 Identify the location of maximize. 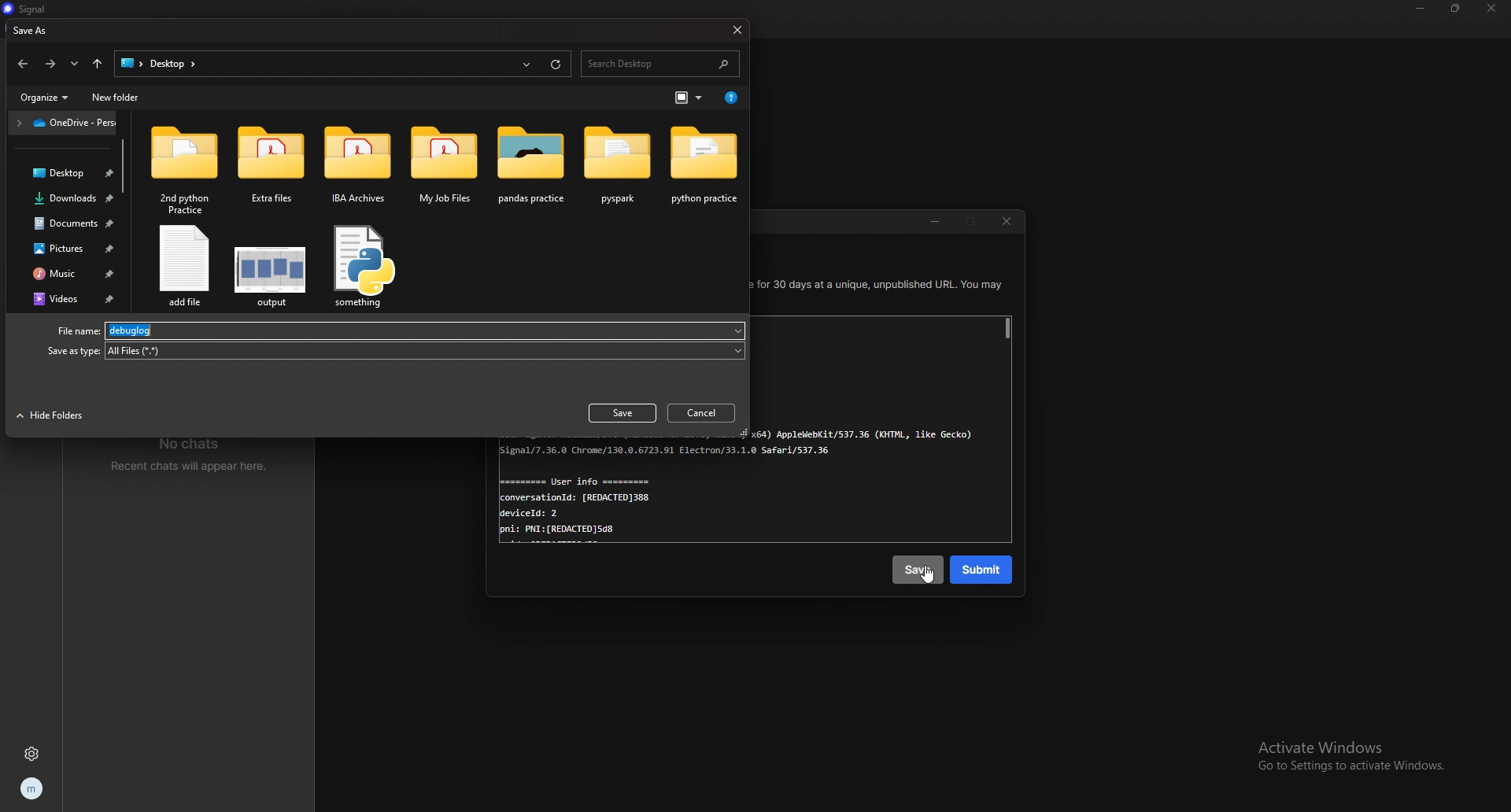
(973, 223).